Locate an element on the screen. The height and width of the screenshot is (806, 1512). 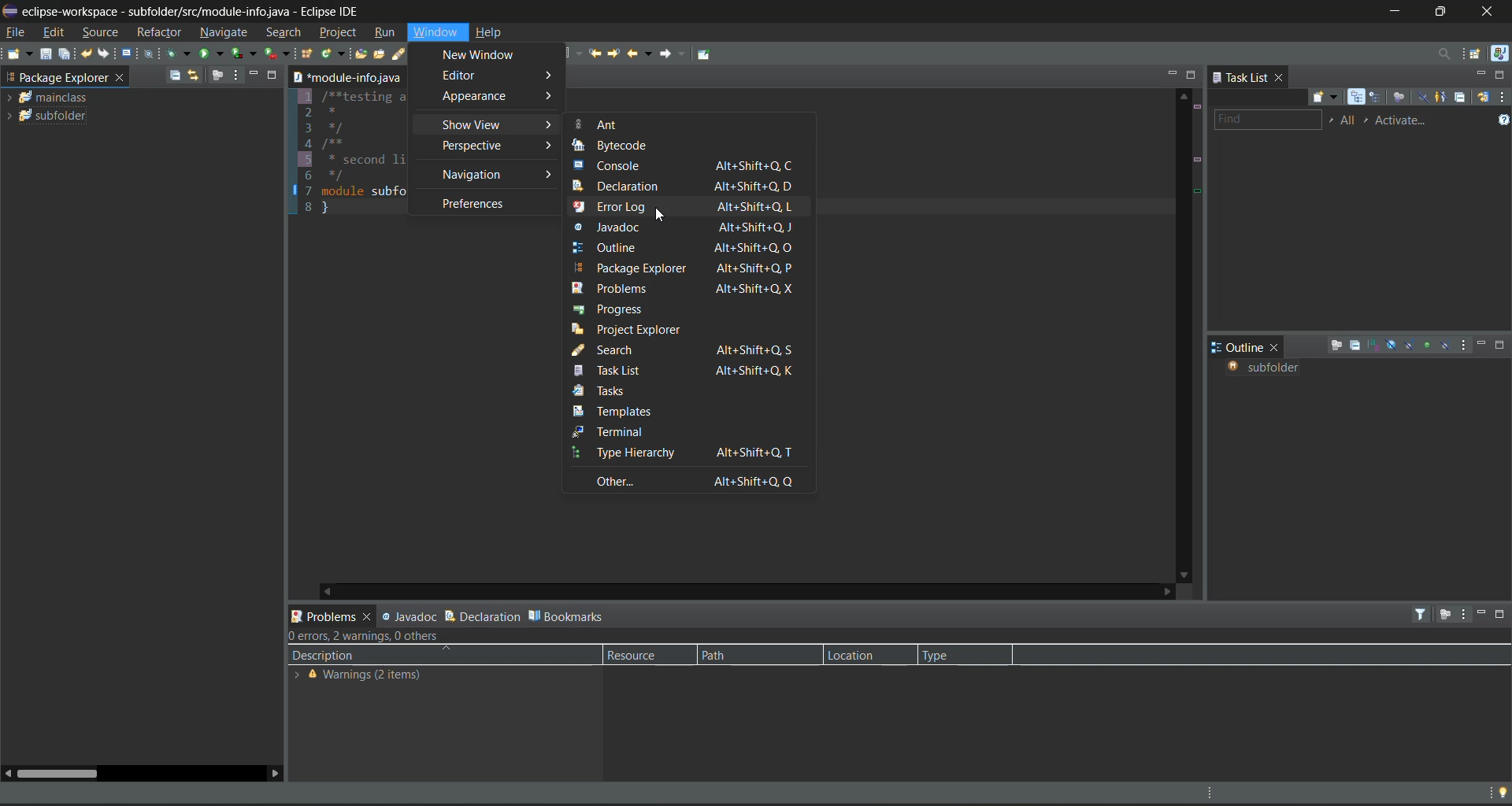
run is located at coordinates (212, 53).